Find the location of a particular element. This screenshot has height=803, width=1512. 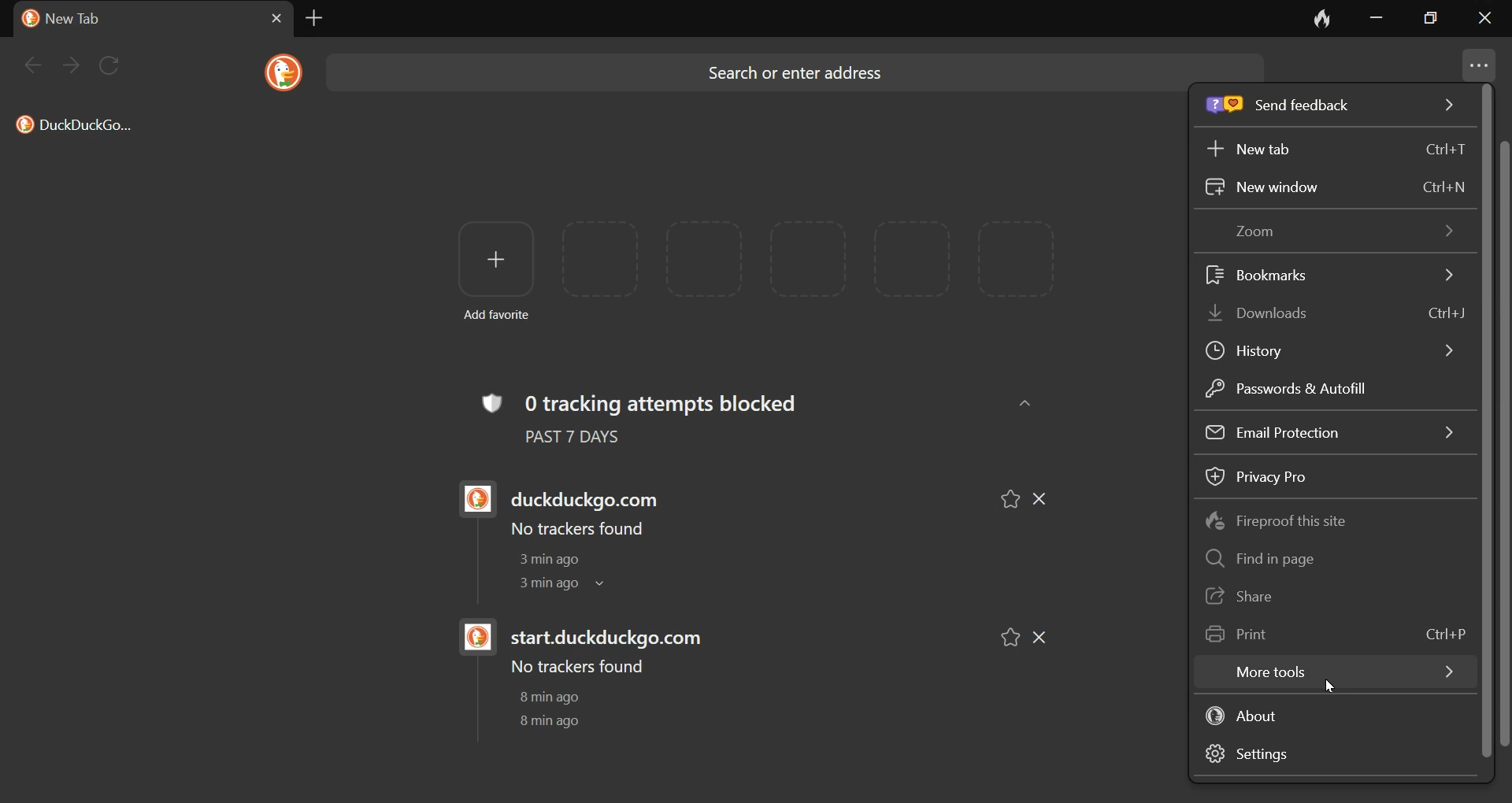

minimize is located at coordinates (1373, 20).